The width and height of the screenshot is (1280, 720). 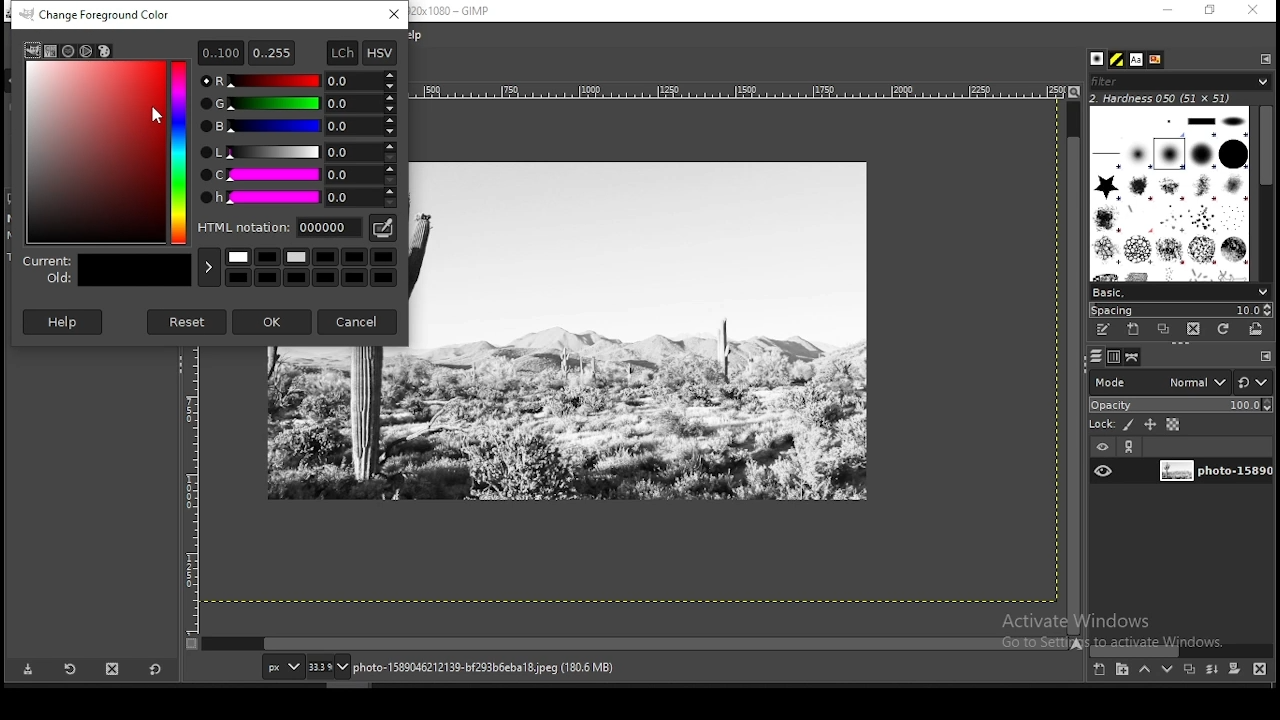 I want to click on help, so click(x=64, y=321).